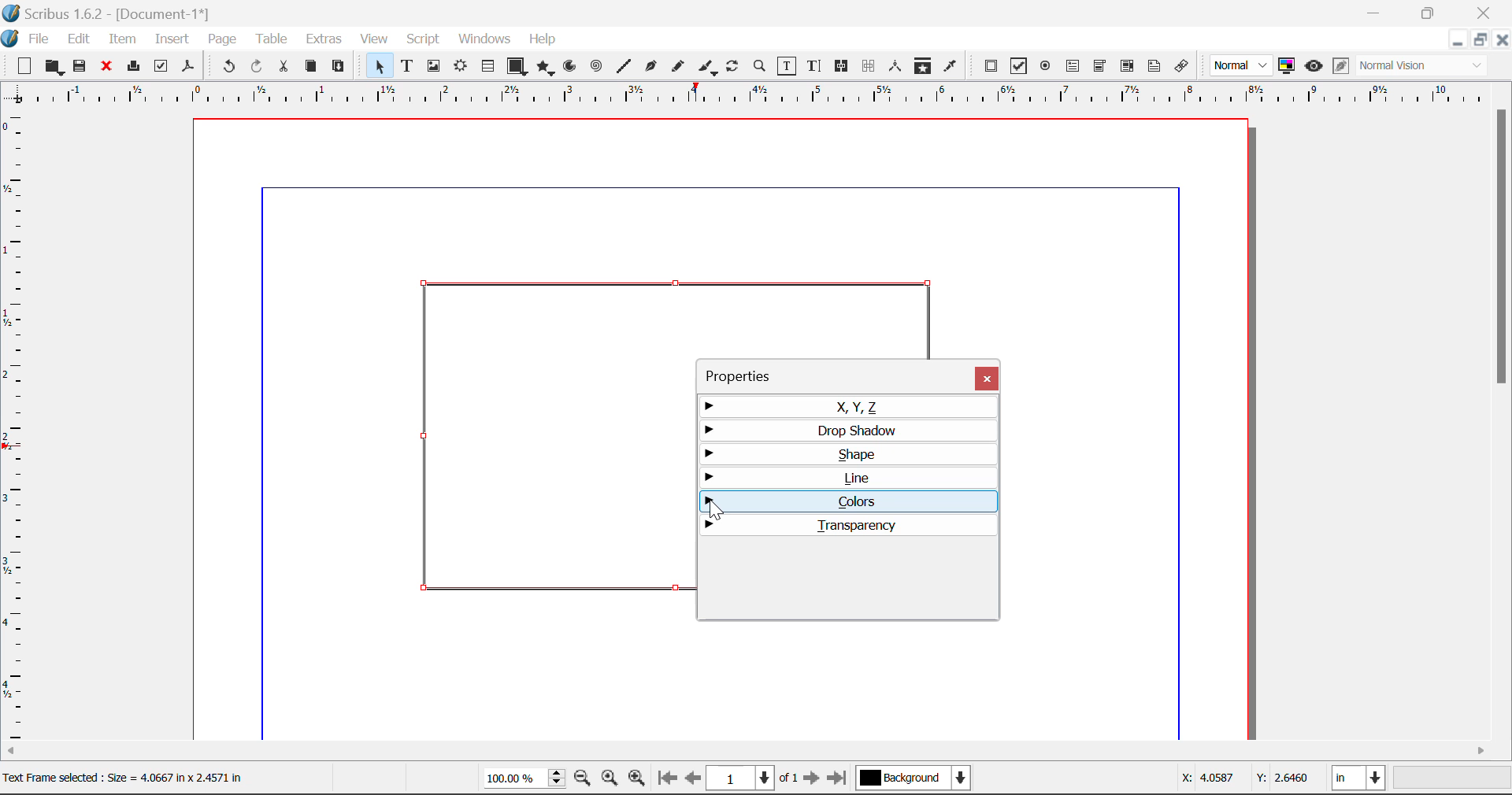 The width and height of the screenshot is (1512, 795). I want to click on Copy, so click(310, 66).